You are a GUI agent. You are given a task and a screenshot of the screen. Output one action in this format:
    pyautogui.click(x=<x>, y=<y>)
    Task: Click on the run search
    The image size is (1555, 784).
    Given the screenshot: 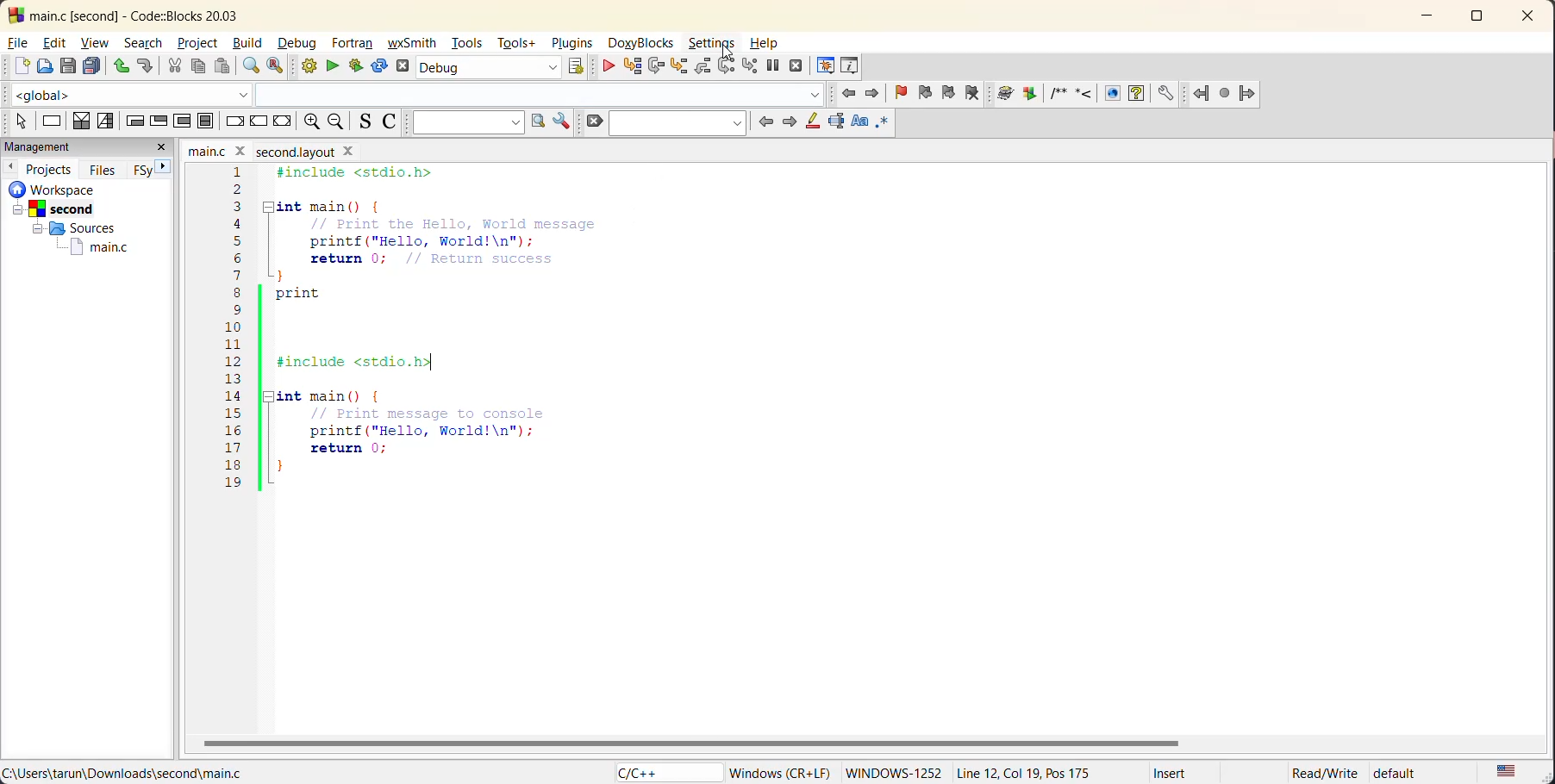 What is the action you would take?
    pyautogui.click(x=538, y=122)
    